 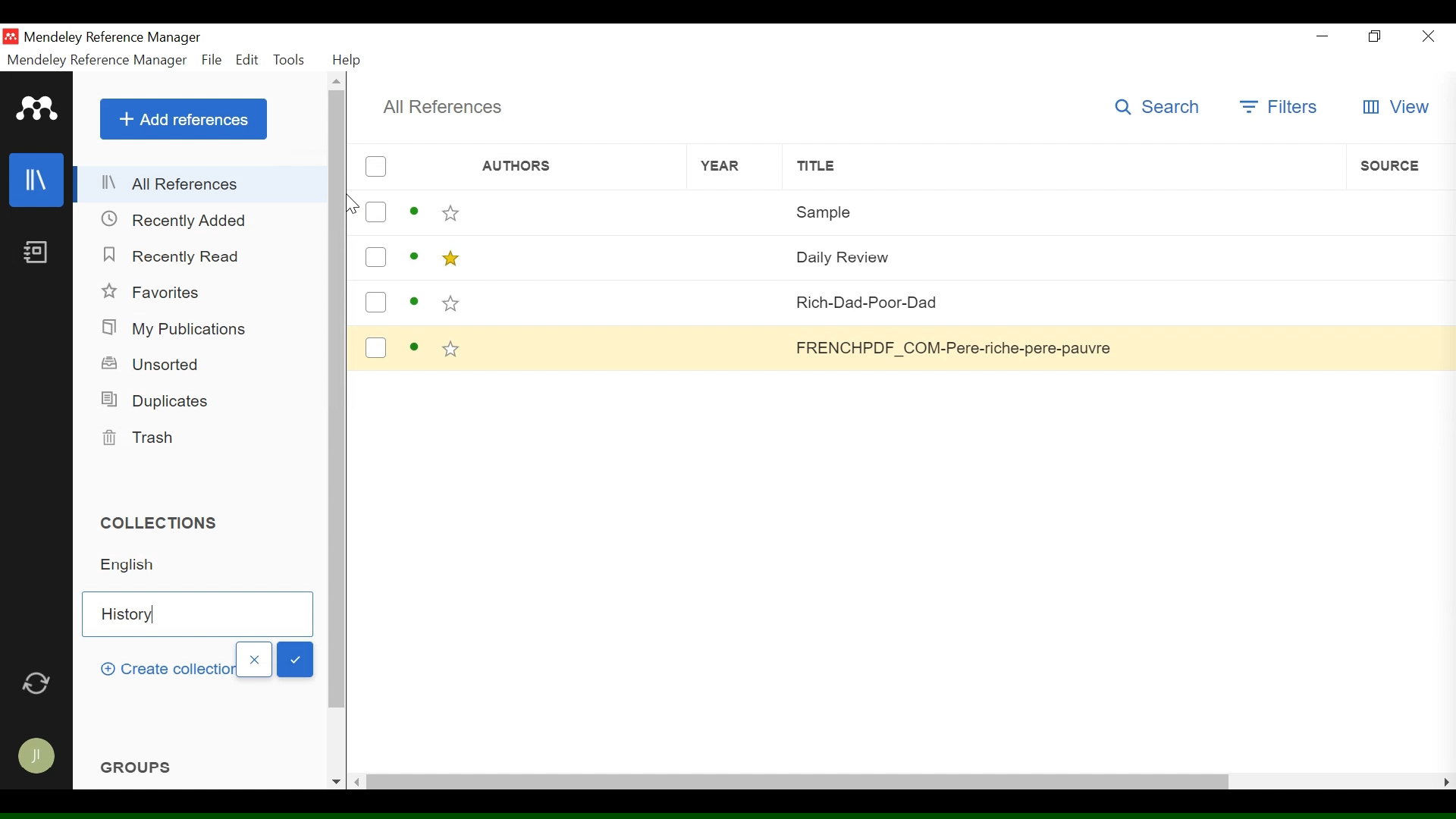 What do you see at coordinates (36, 256) in the screenshot?
I see `Notebook` at bounding box center [36, 256].